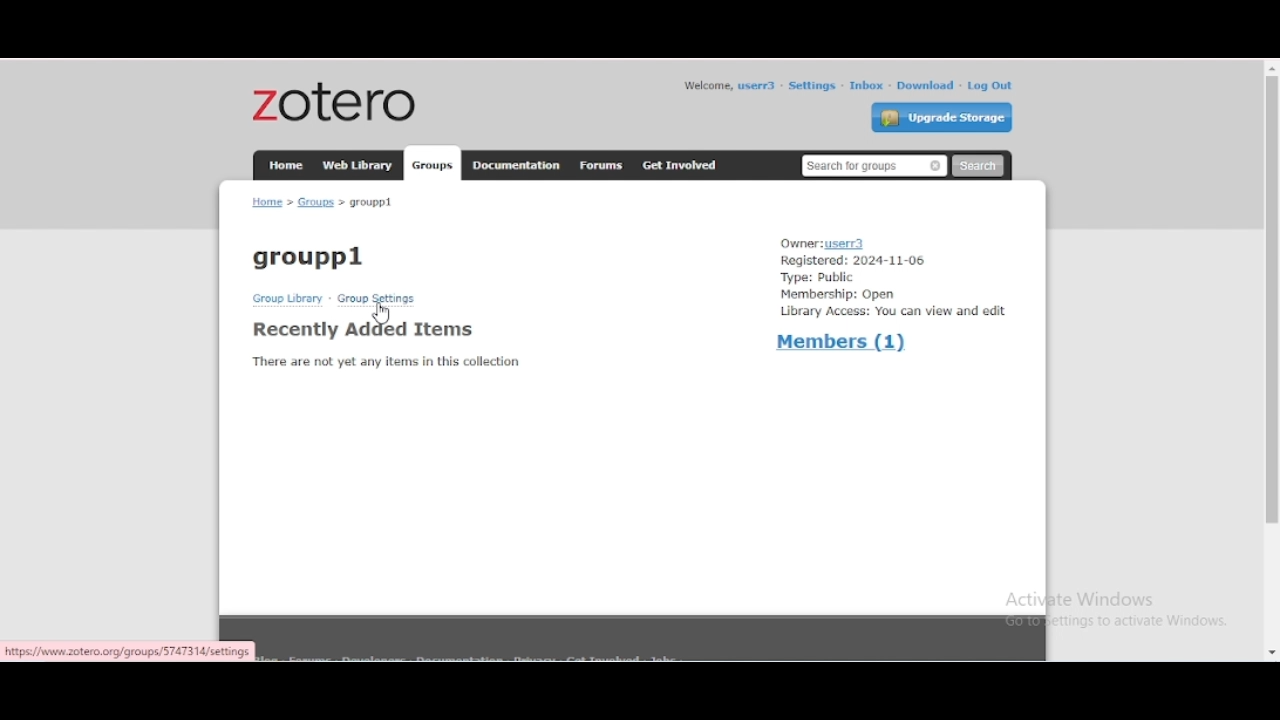 The image size is (1280, 720). What do you see at coordinates (841, 340) in the screenshot?
I see `members(1)` at bounding box center [841, 340].